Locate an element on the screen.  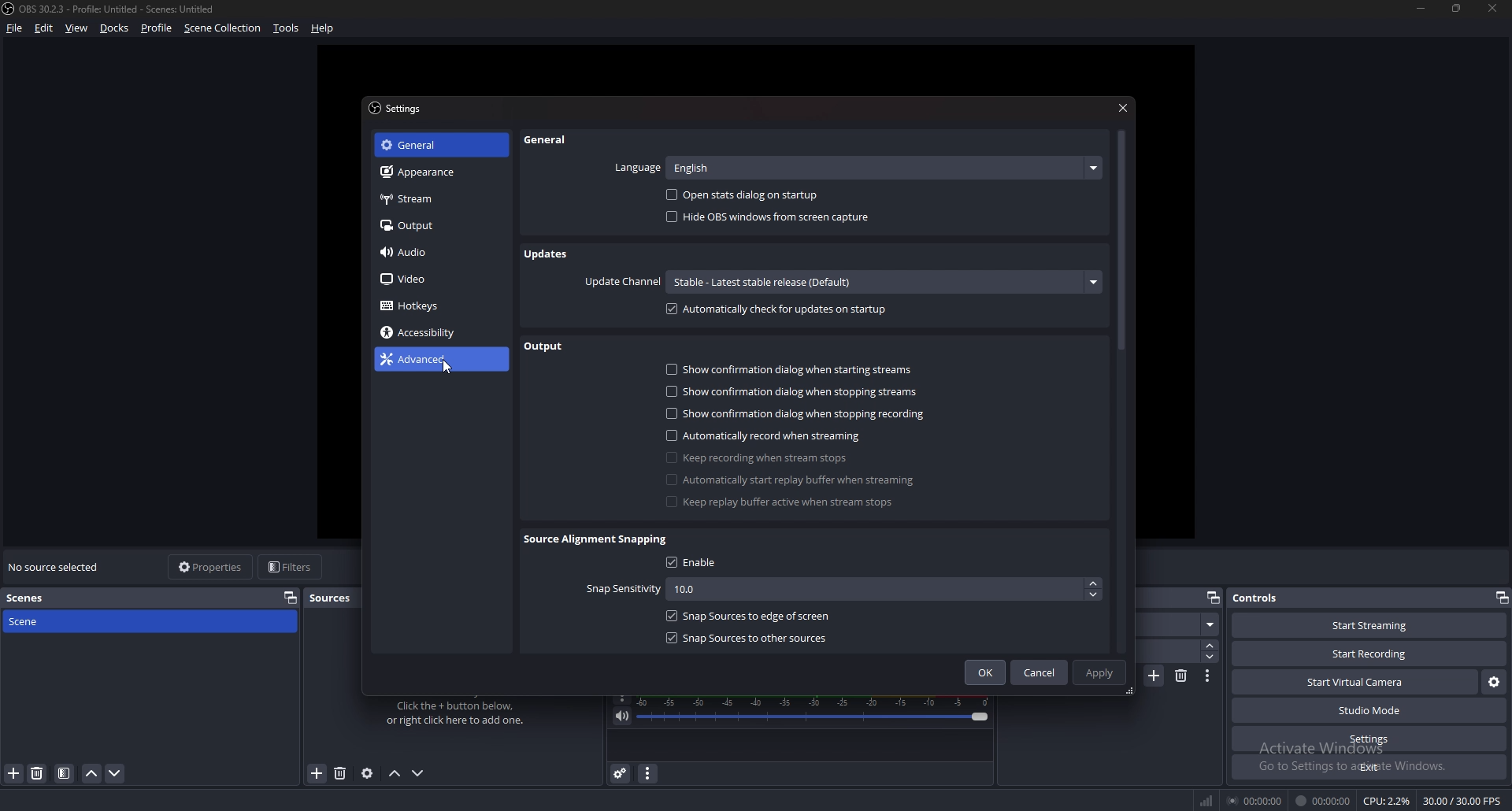
scene filter is located at coordinates (63, 773).